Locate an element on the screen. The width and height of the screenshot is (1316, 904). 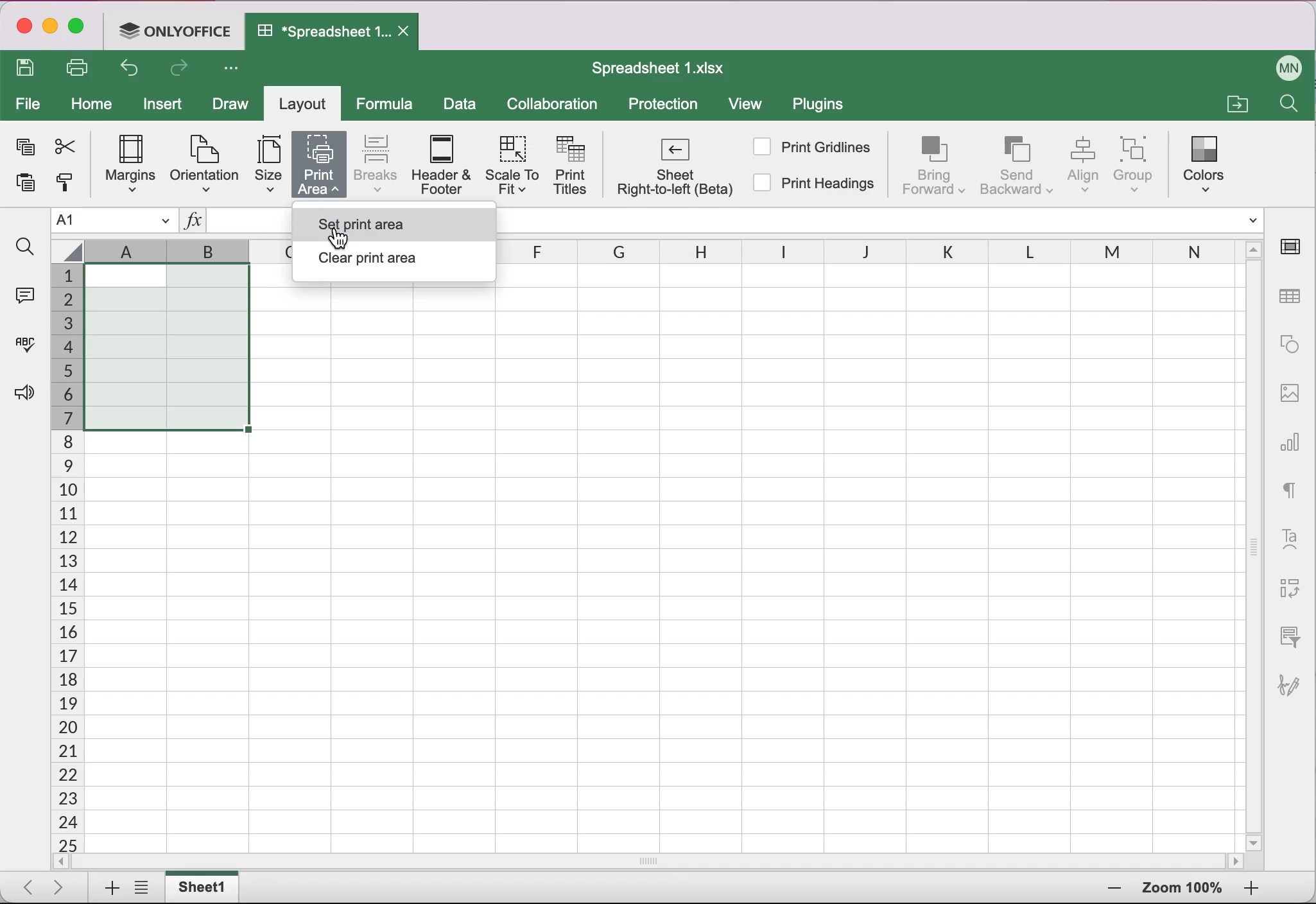
zoom out is located at coordinates (1251, 889).